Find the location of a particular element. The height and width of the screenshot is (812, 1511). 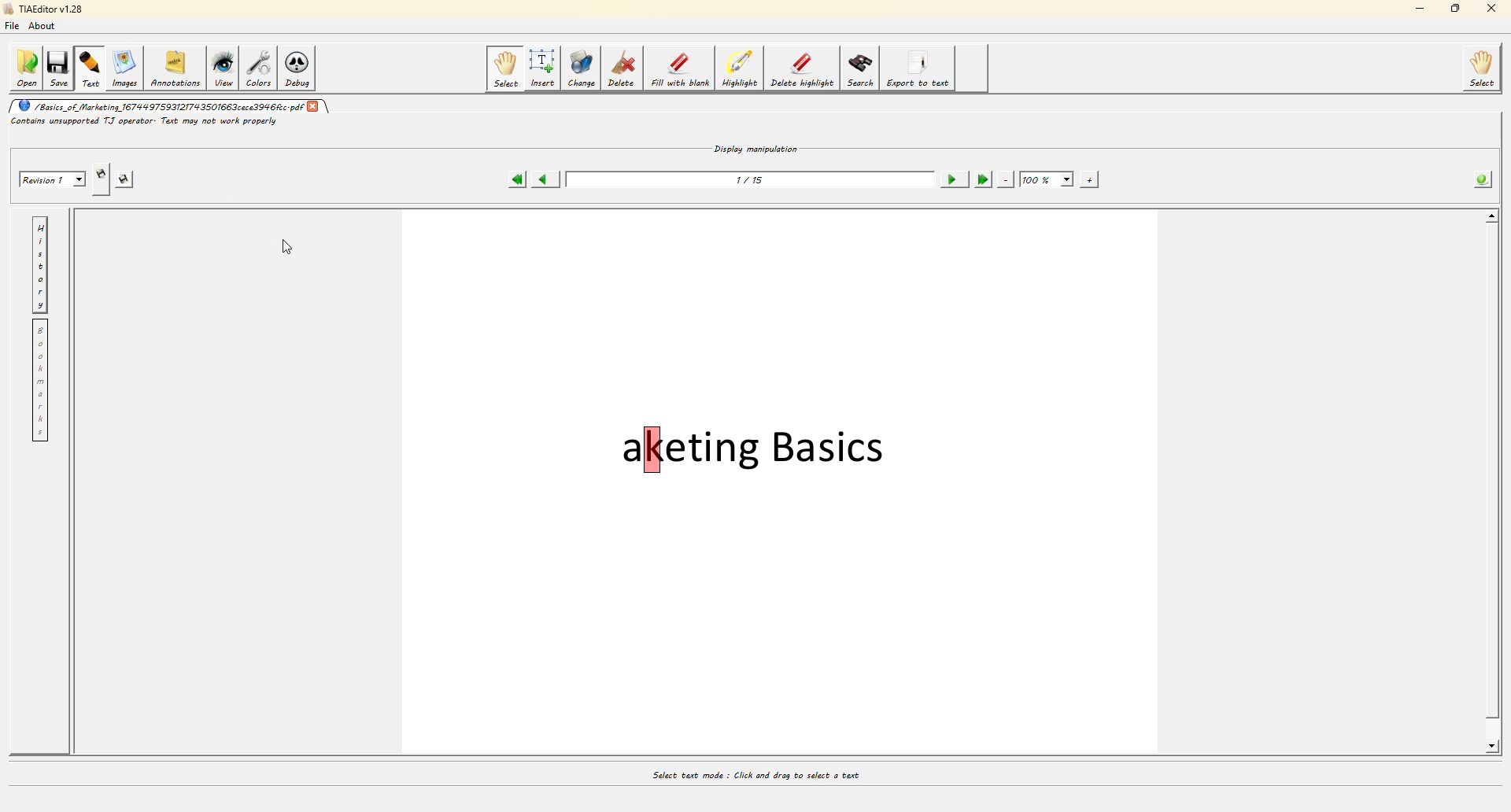

save is located at coordinates (58, 68).